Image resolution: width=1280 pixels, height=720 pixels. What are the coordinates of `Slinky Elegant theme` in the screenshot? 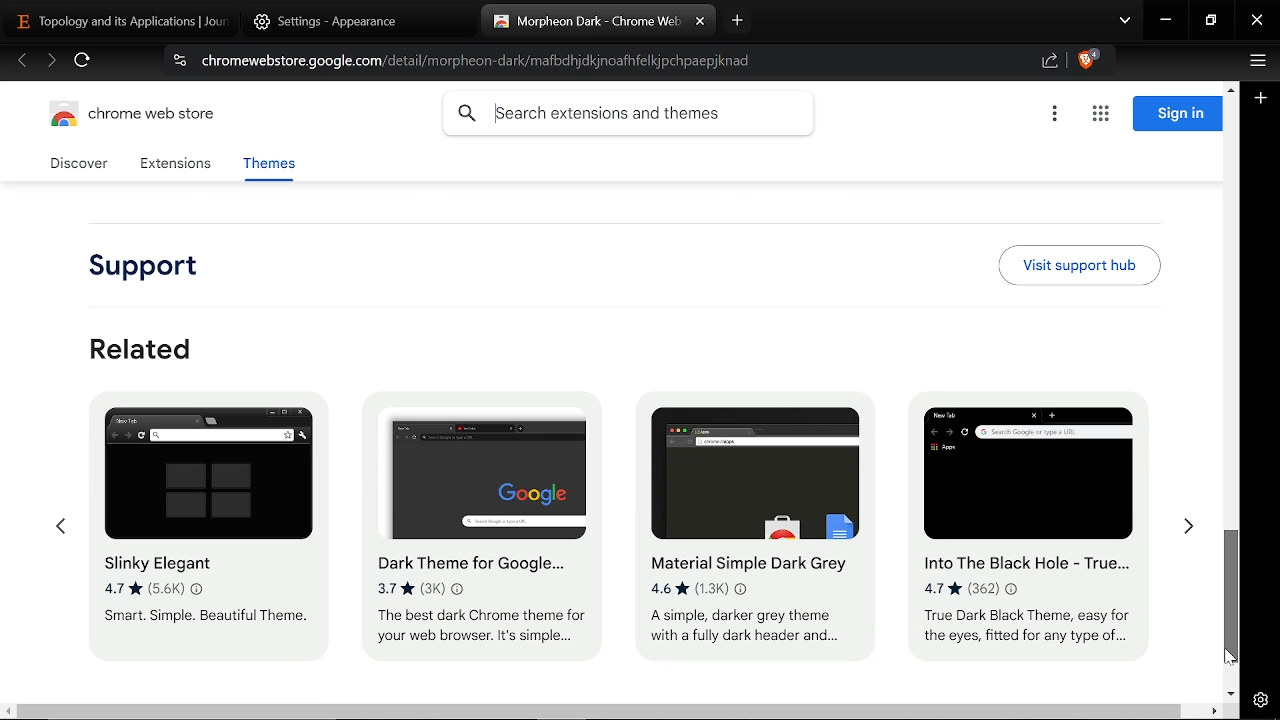 It's located at (202, 539).